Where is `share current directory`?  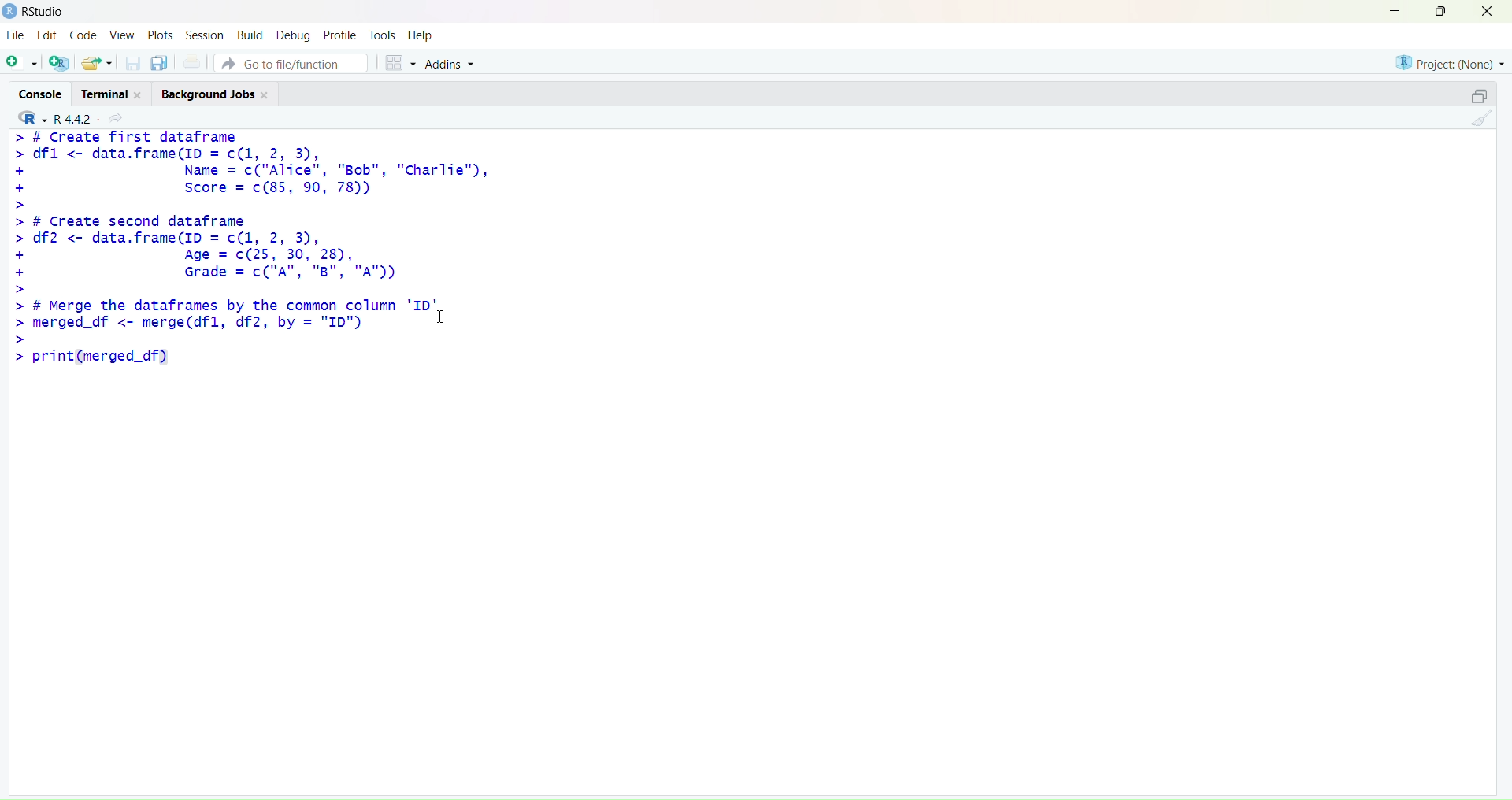 share current directory is located at coordinates (116, 119).